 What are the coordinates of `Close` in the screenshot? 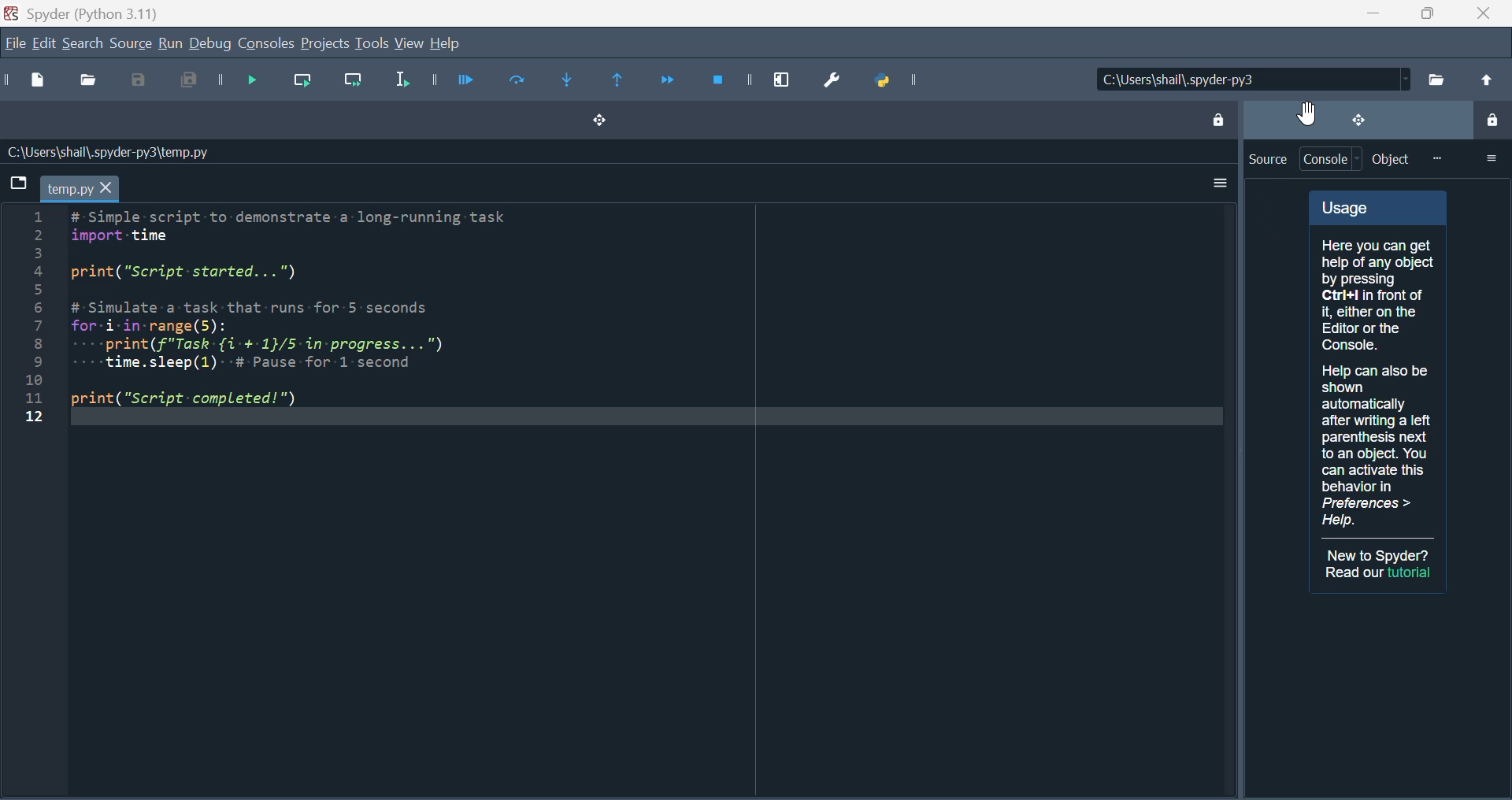 It's located at (1482, 13).